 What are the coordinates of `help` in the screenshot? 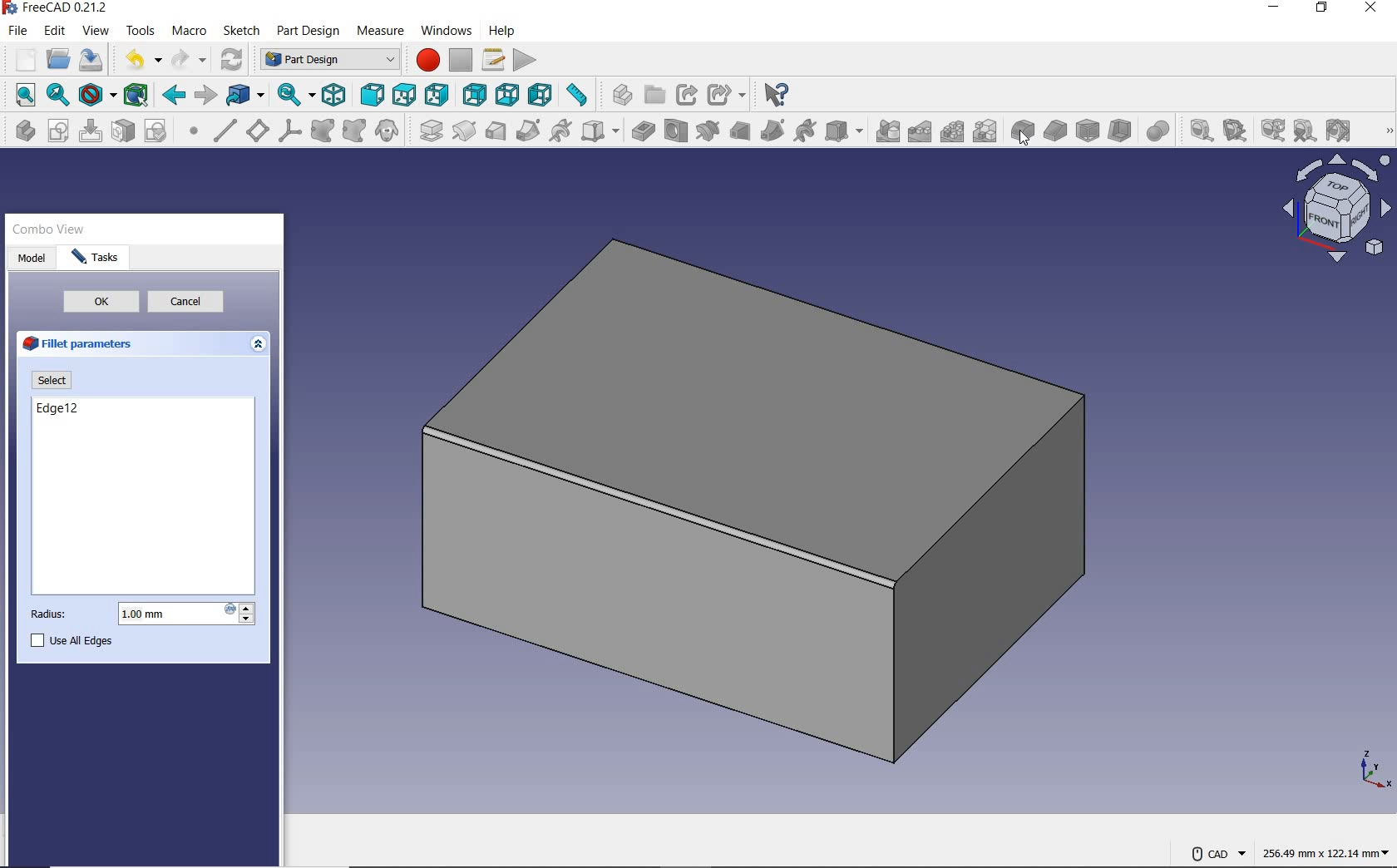 It's located at (506, 29).